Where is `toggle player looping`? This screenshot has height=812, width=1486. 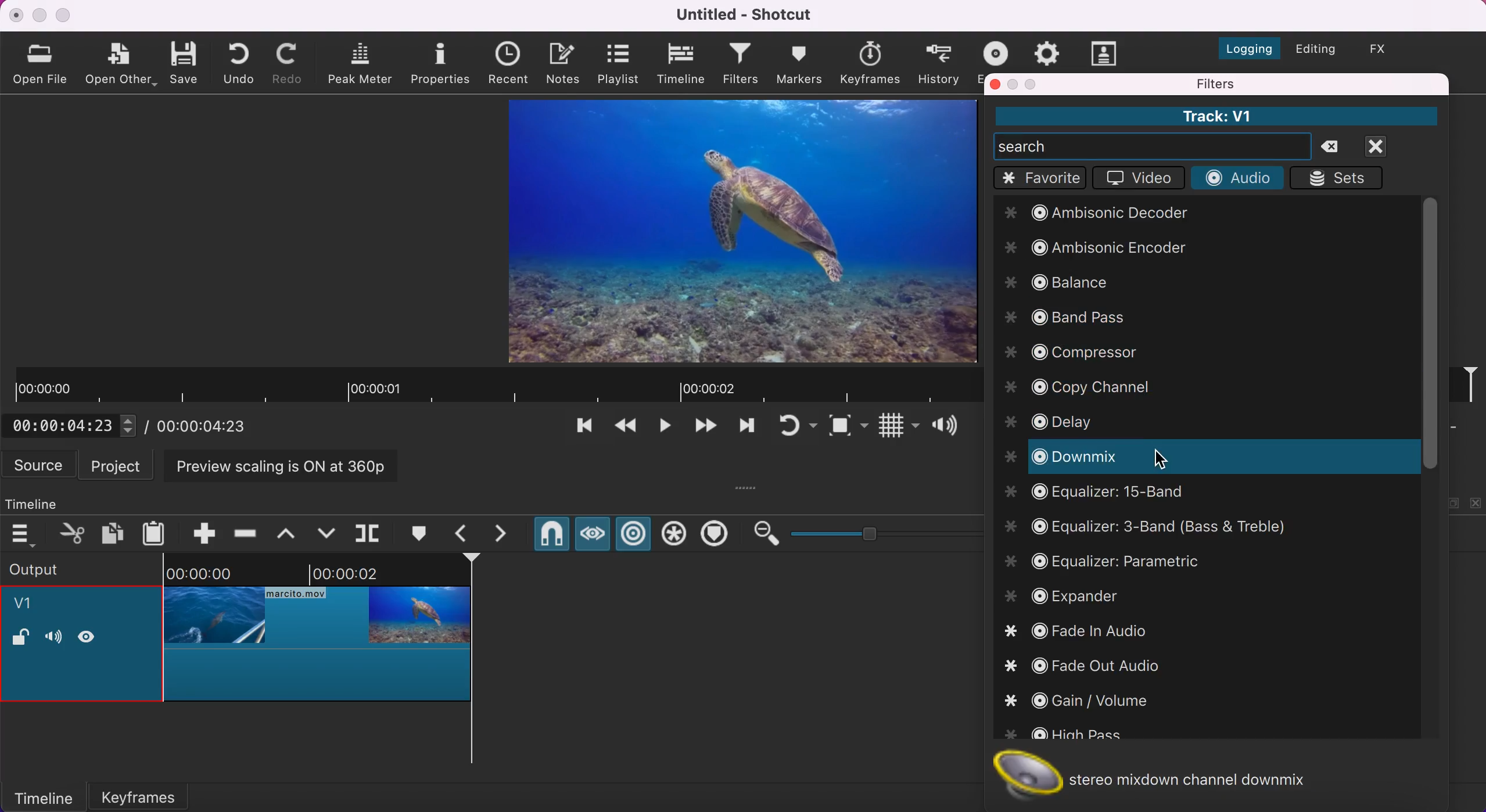
toggle player looping is located at coordinates (796, 427).